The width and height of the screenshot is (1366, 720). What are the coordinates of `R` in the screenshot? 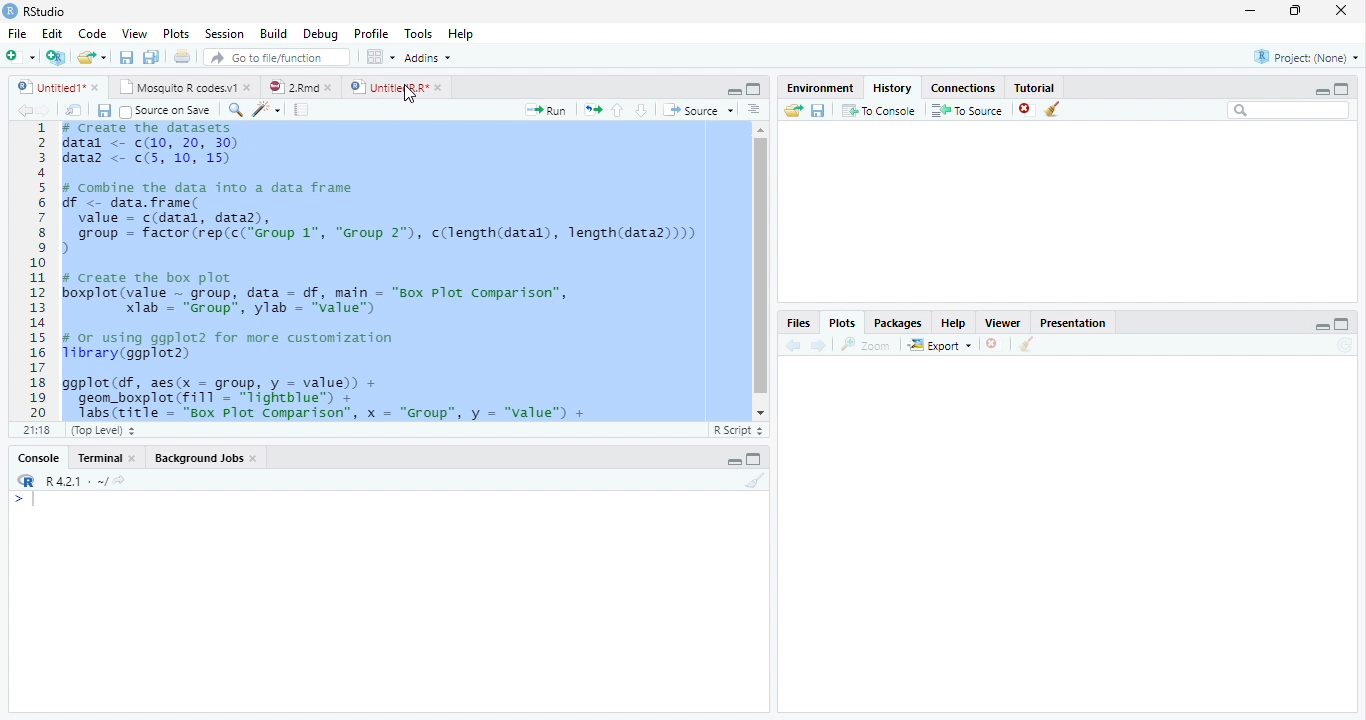 It's located at (26, 481).